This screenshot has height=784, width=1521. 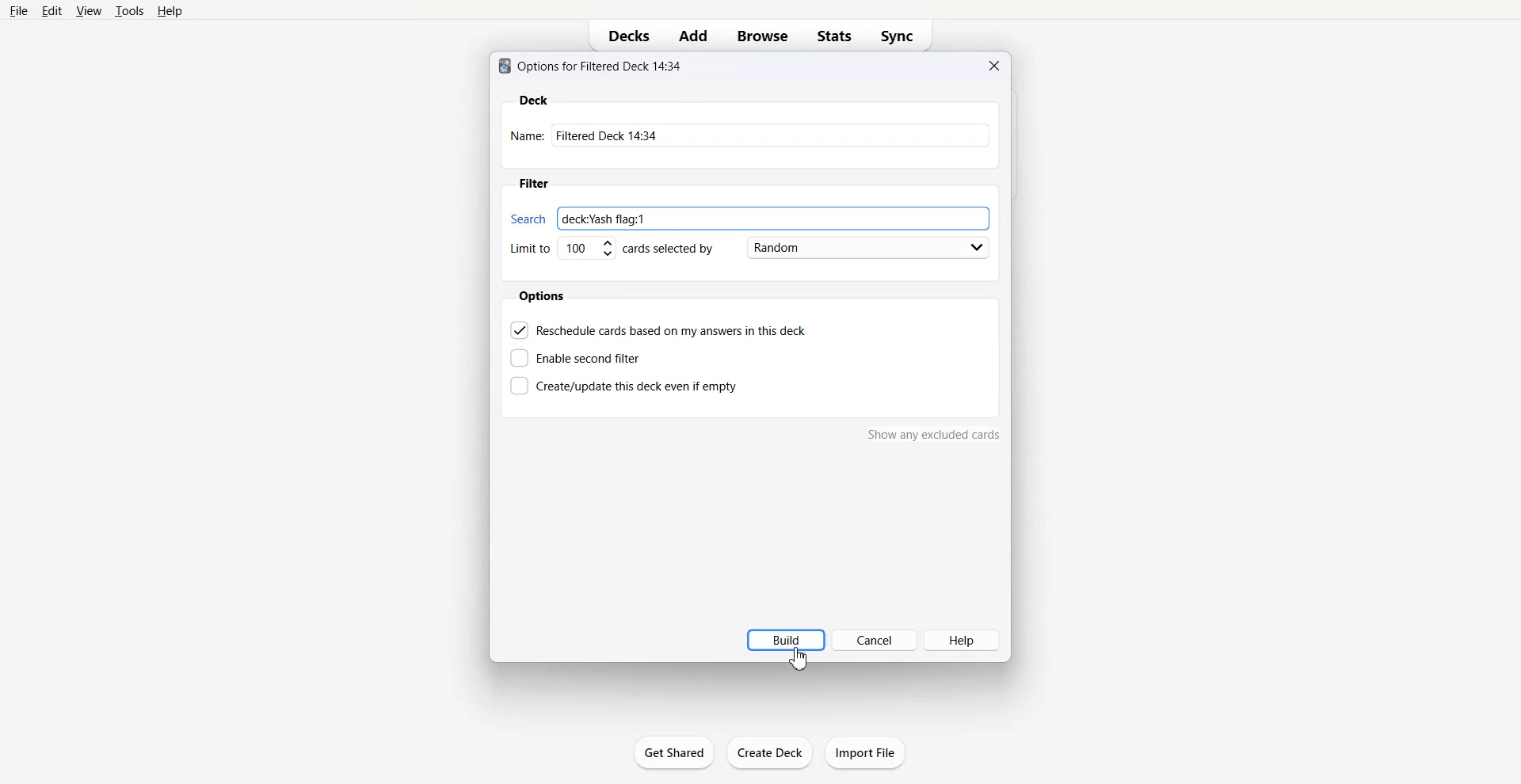 I want to click on Cursor, so click(x=798, y=659).